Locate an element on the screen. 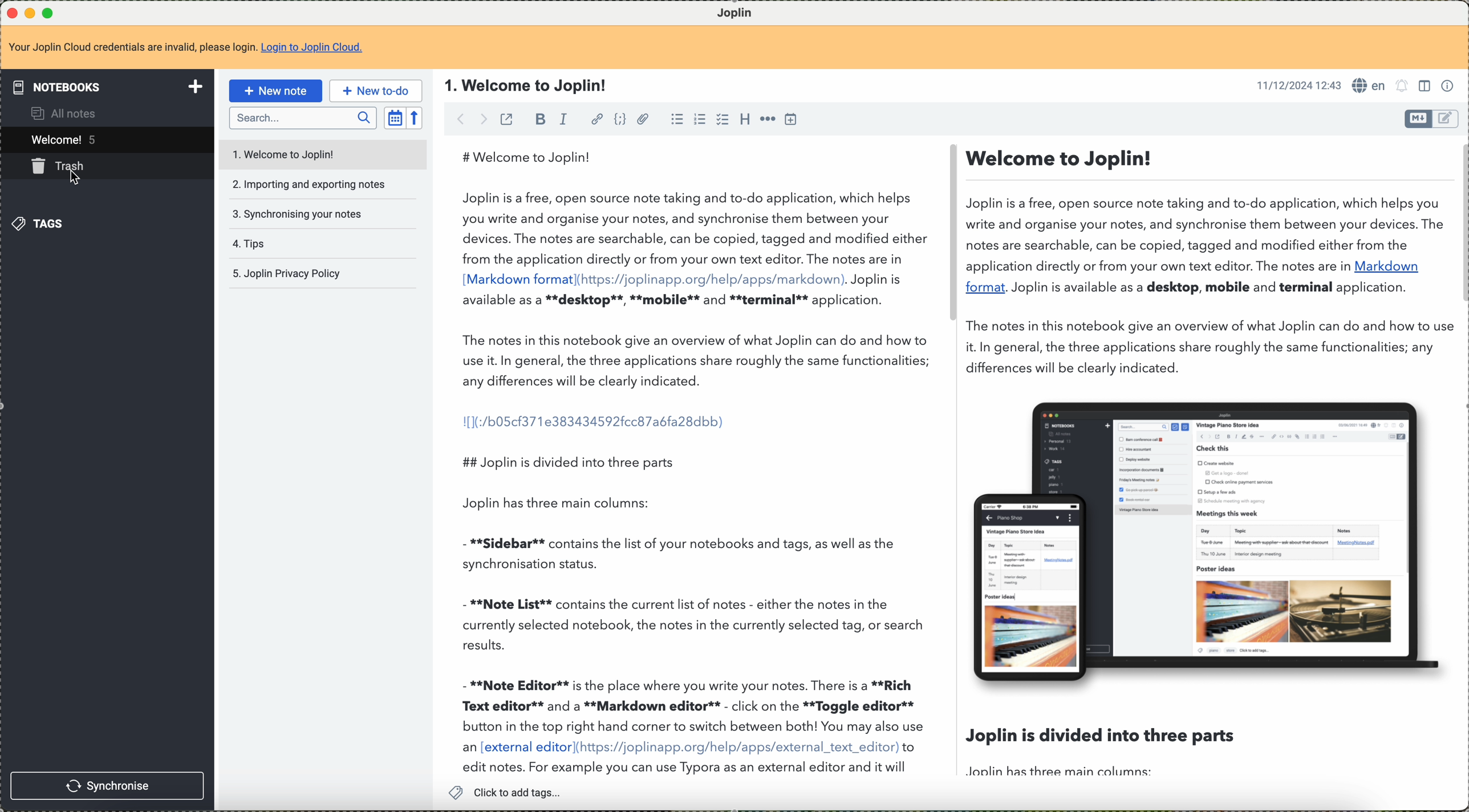  note properties is located at coordinates (1451, 87).